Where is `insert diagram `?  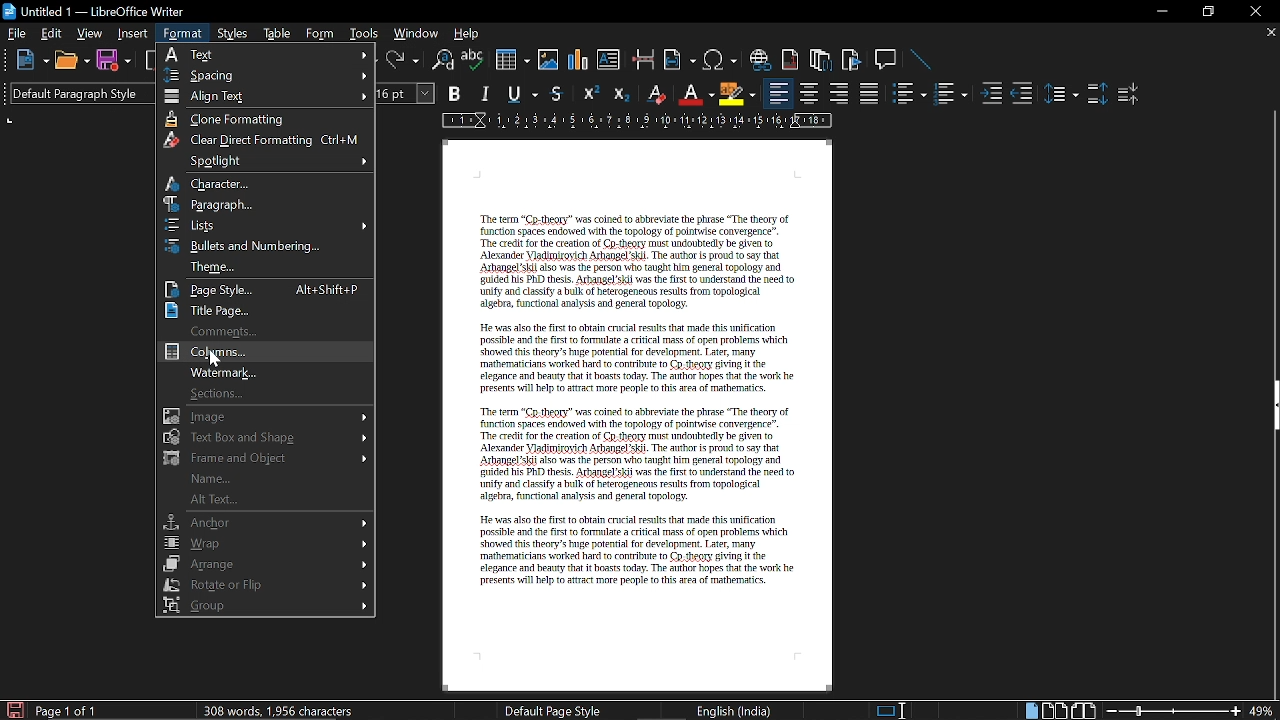
insert diagram  is located at coordinates (580, 61).